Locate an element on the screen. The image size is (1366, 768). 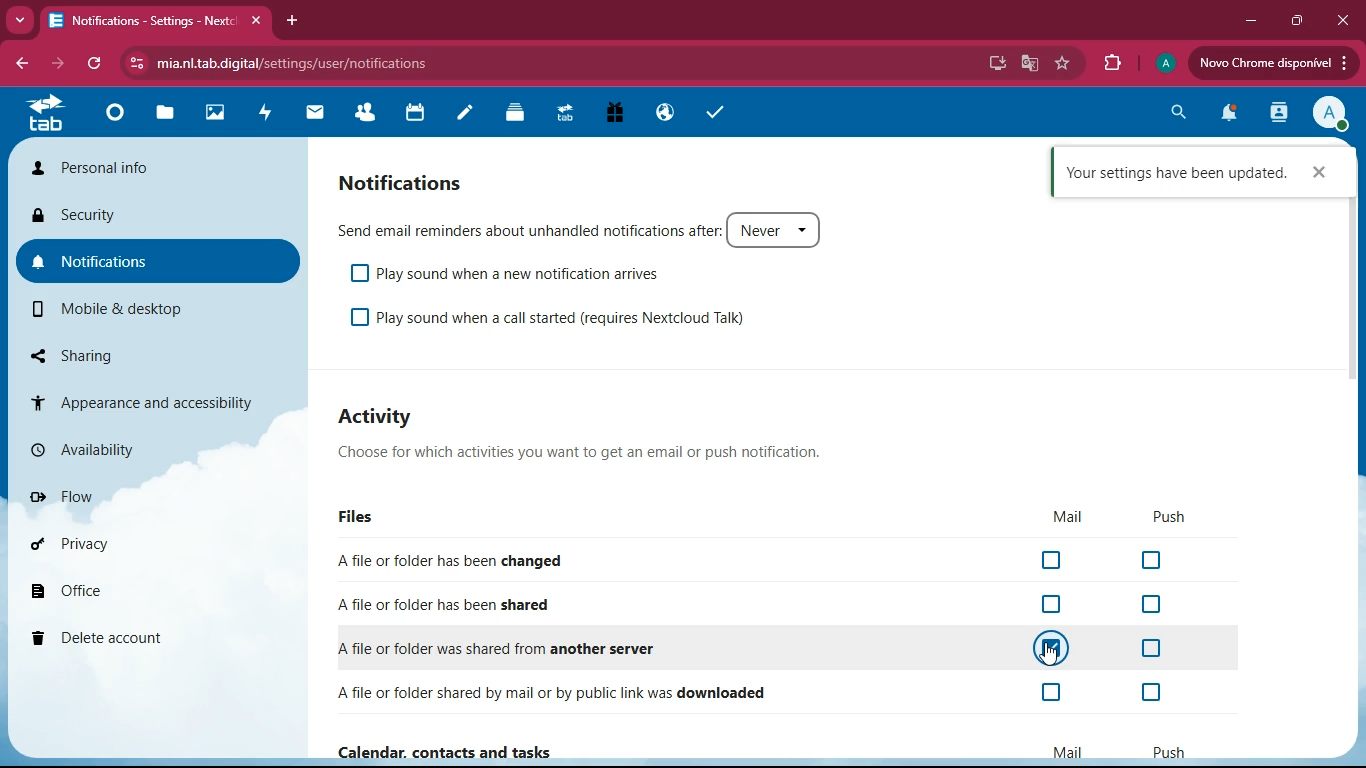
files is located at coordinates (363, 518).